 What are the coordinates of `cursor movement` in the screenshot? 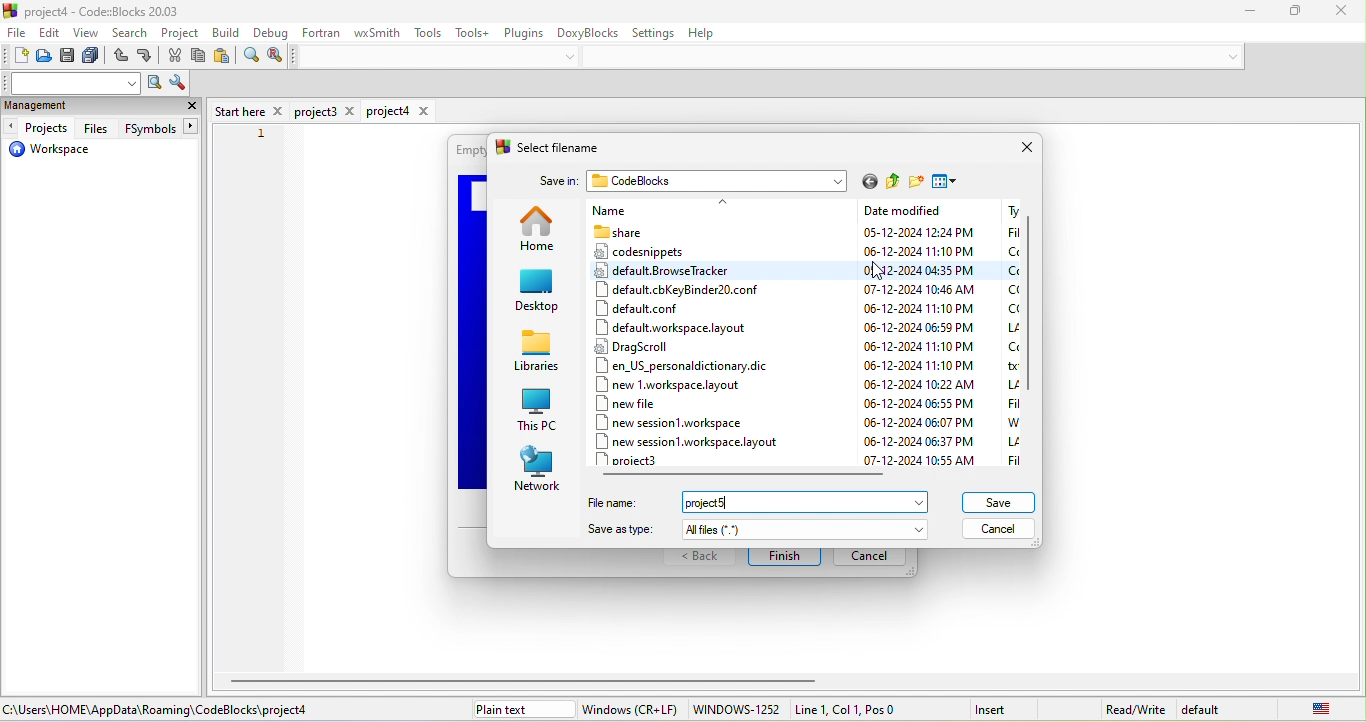 It's located at (889, 271).